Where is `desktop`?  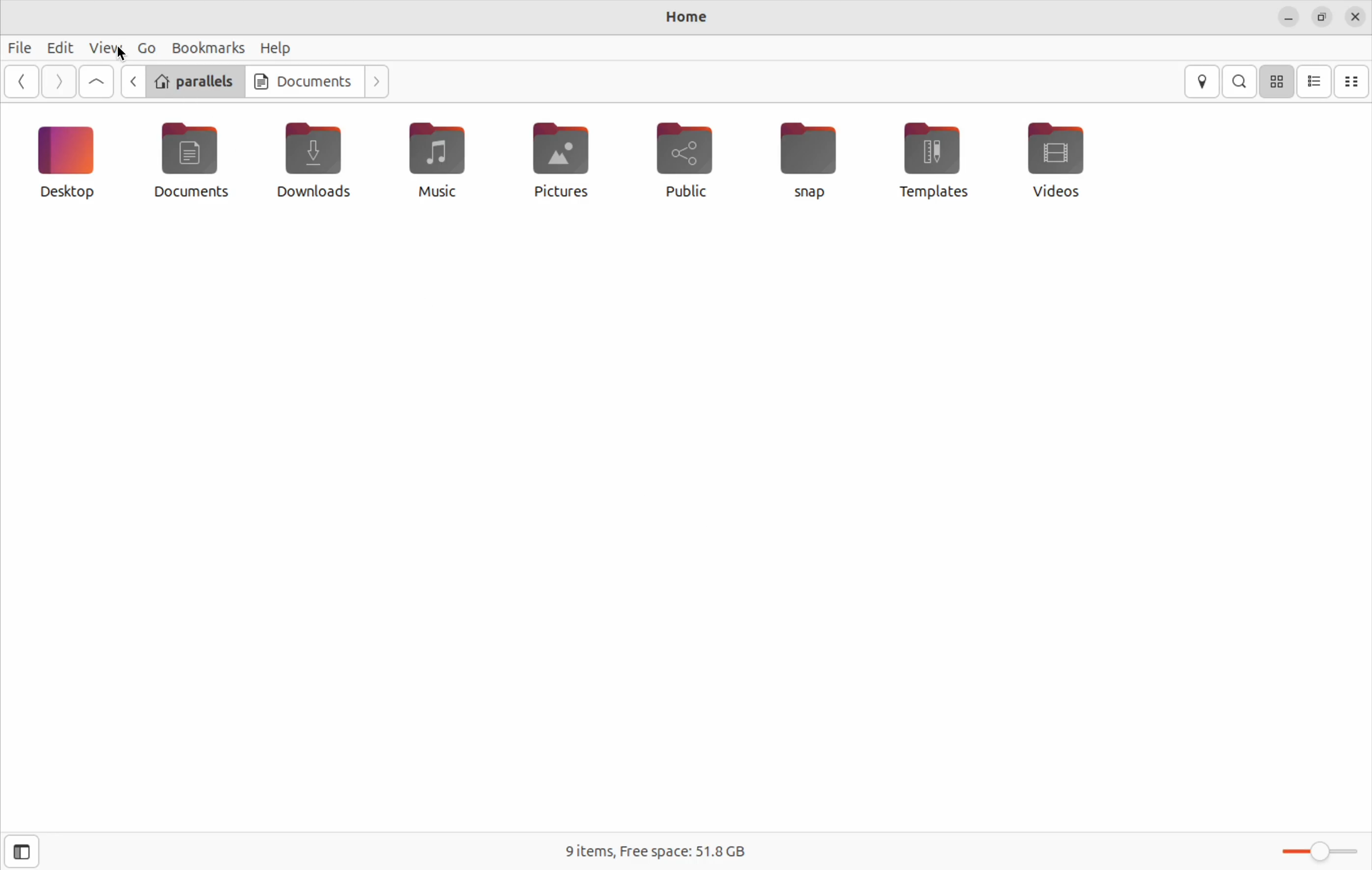 desktop is located at coordinates (73, 159).